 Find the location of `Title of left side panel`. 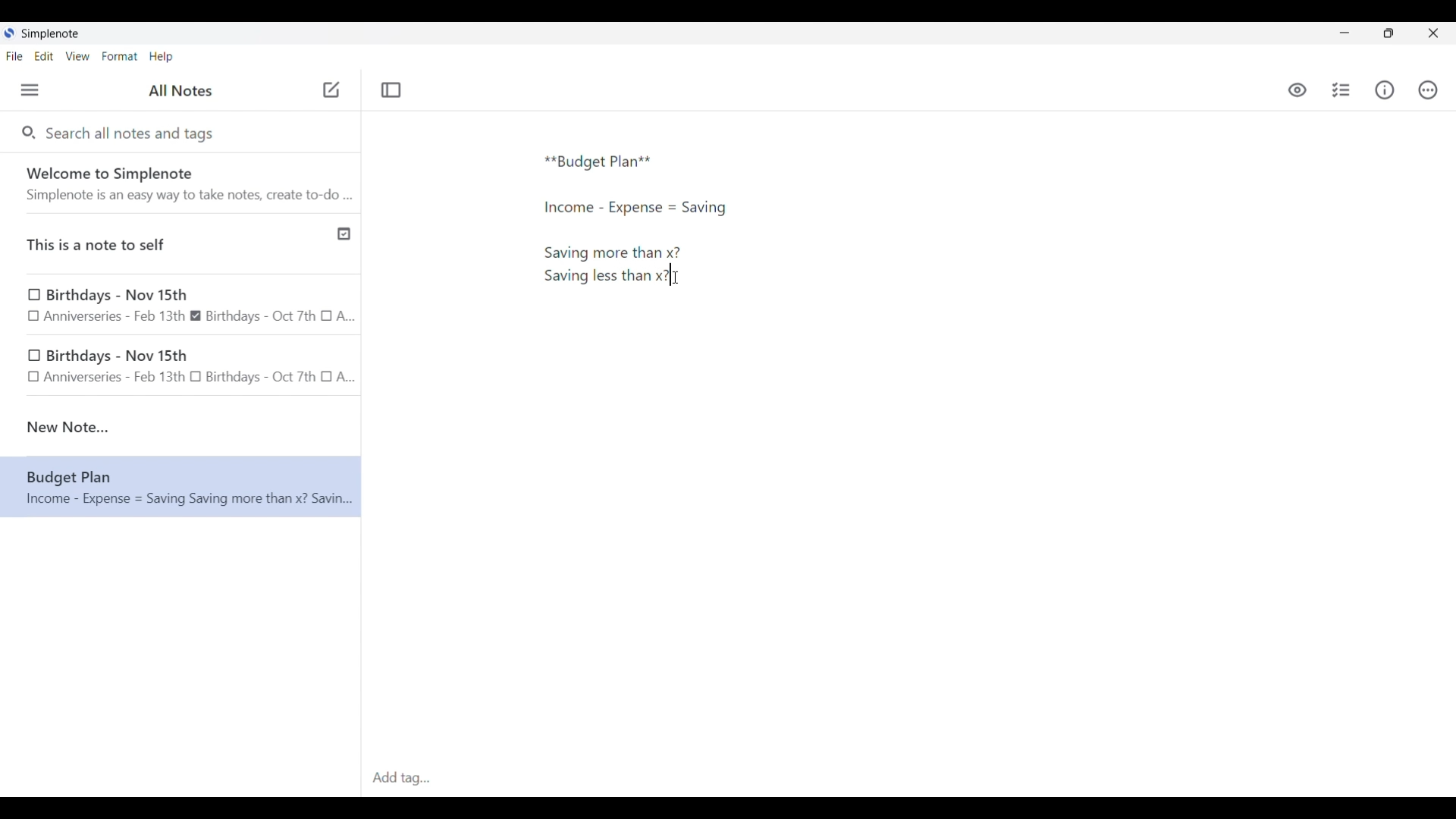

Title of left side panel is located at coordinates (180, 91).